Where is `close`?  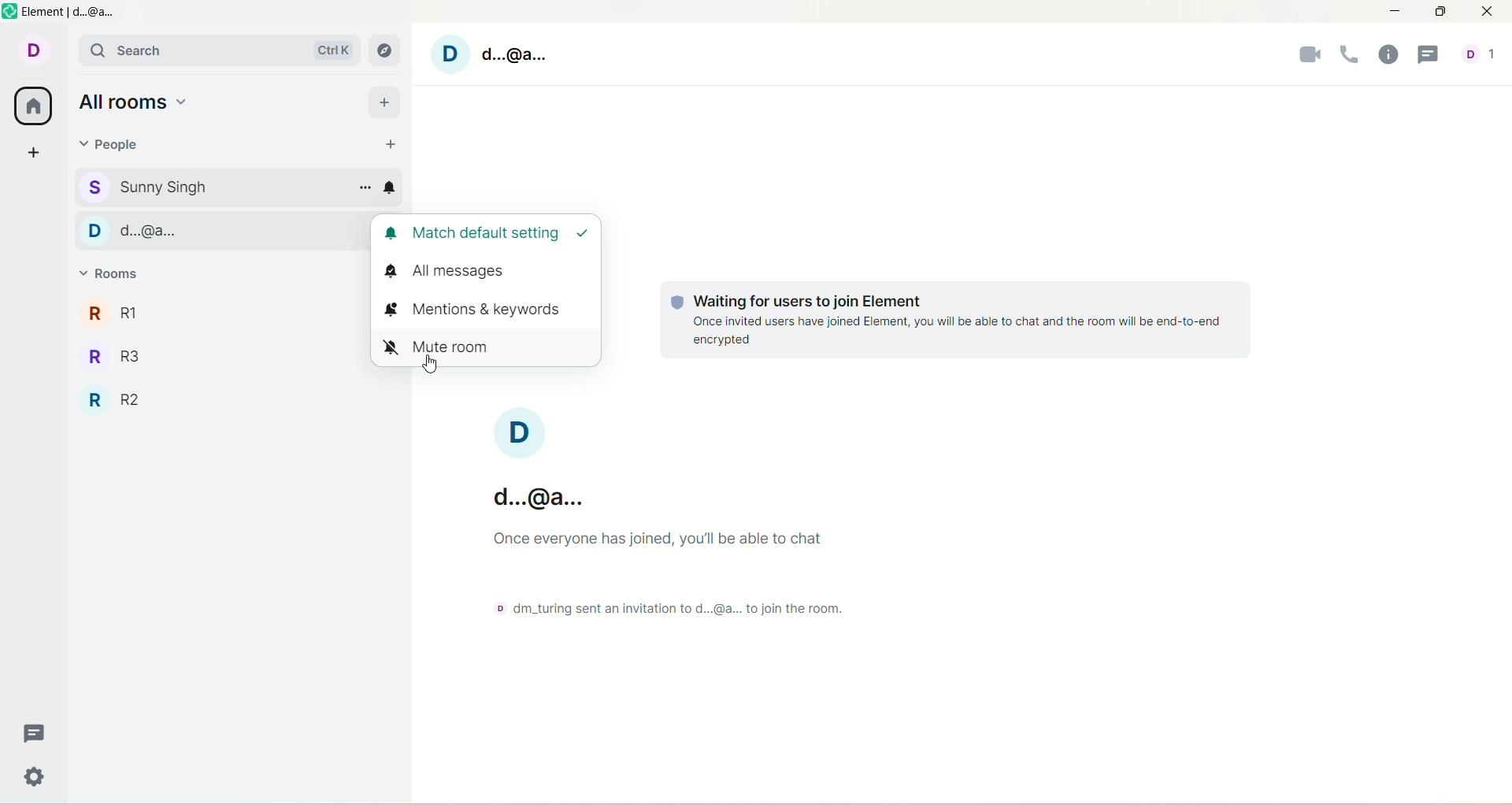 close is located at coordinates (1492, 10).